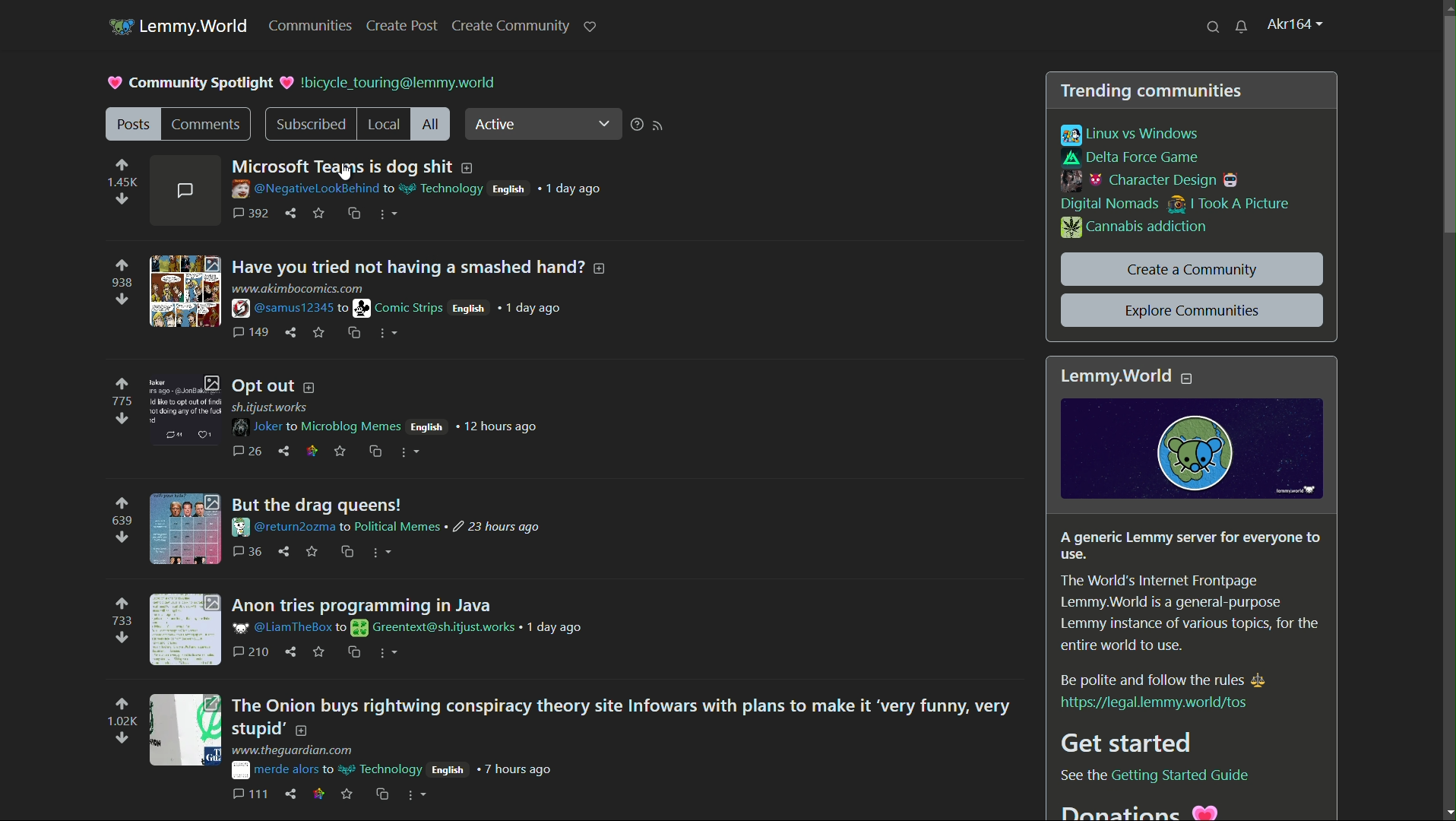 The height and width of the screenshot is (821, 1456). Describe the element at coordinates (122, 520) in the screenshot. I see `number of votes` at that location.